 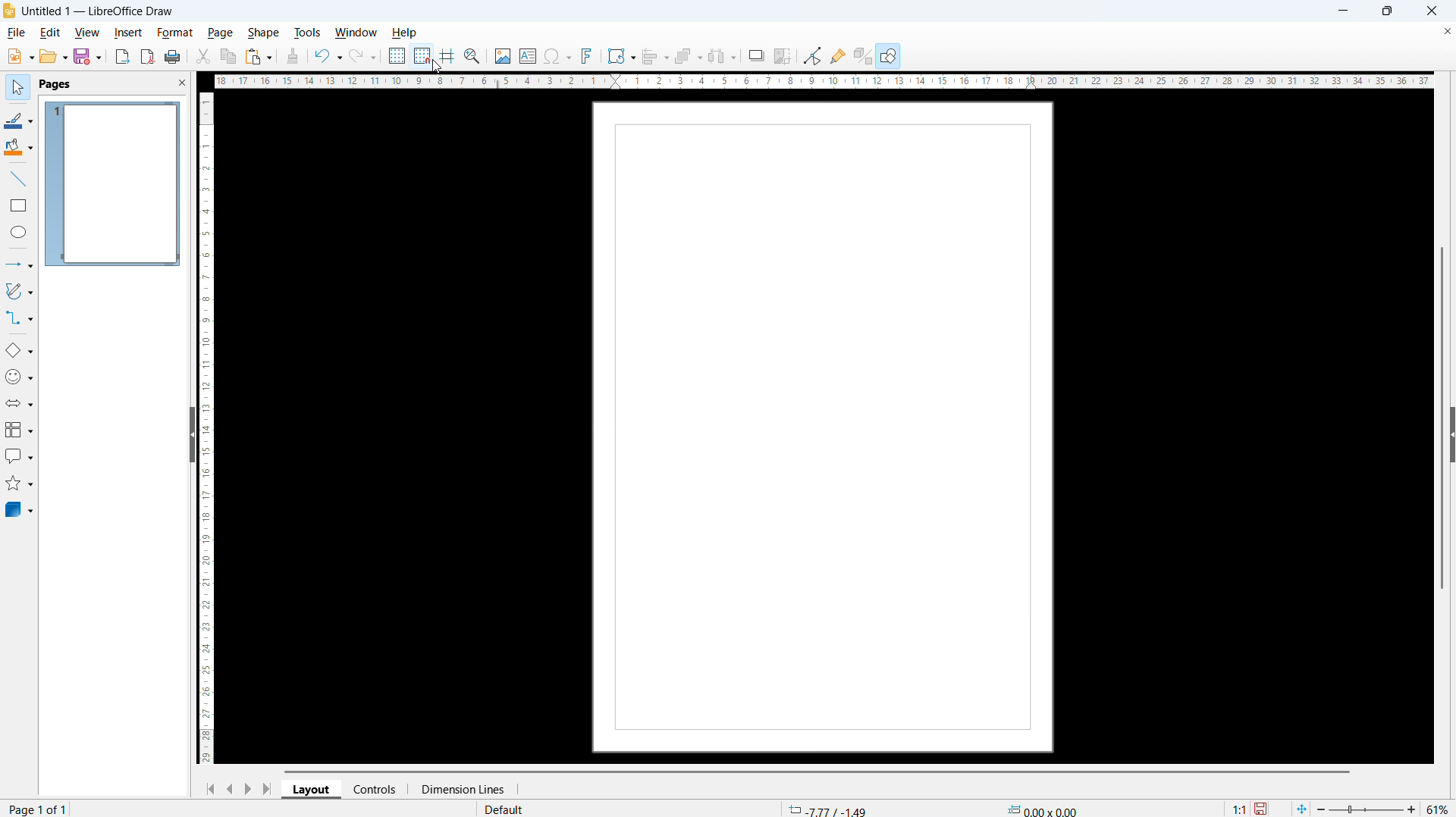 What do you see at coordinates (89, 57) in the screenshot?
I see `Save ` at bounding box center [89, 57].